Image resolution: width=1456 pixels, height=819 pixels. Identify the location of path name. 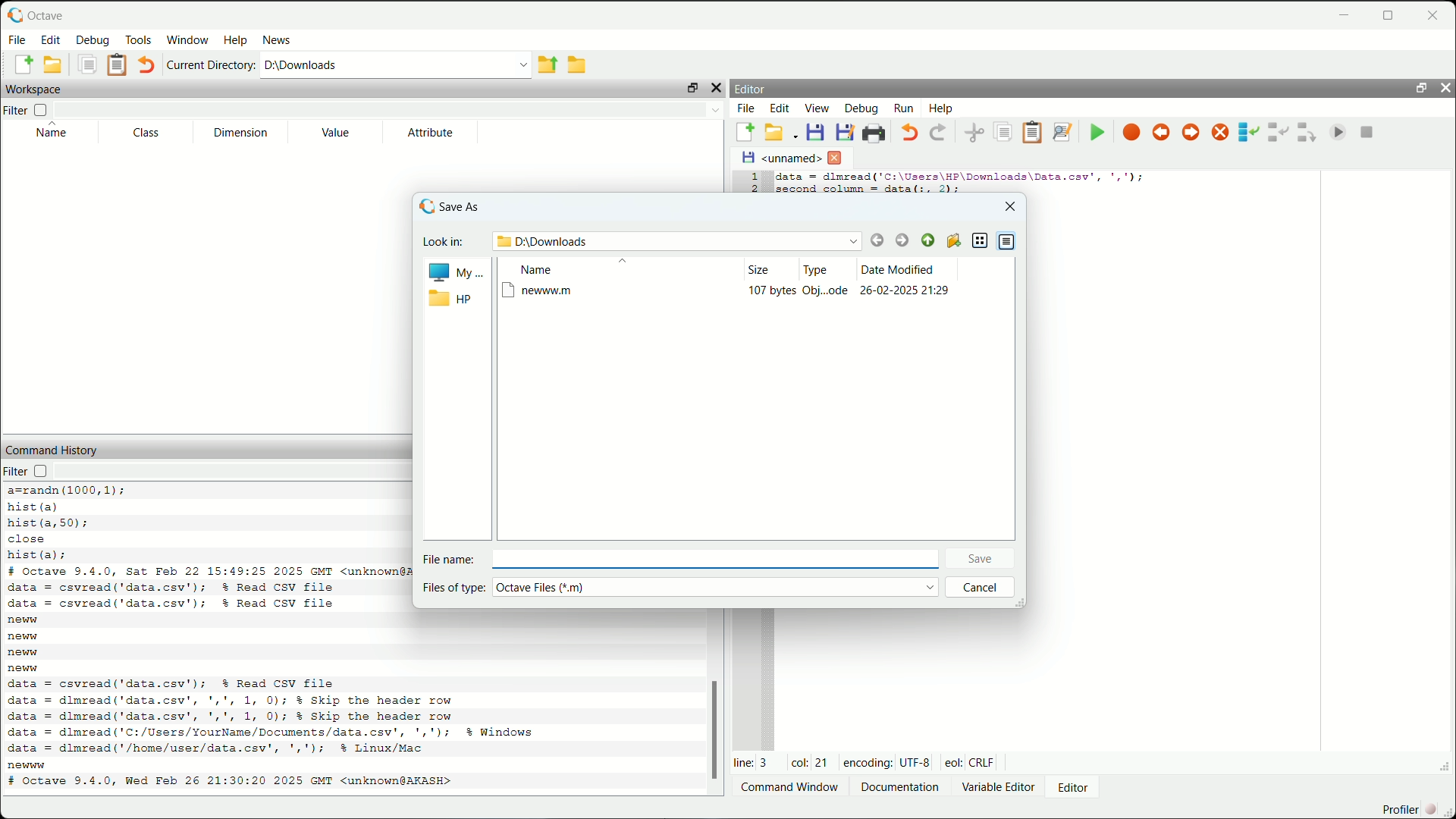
(676, 239).